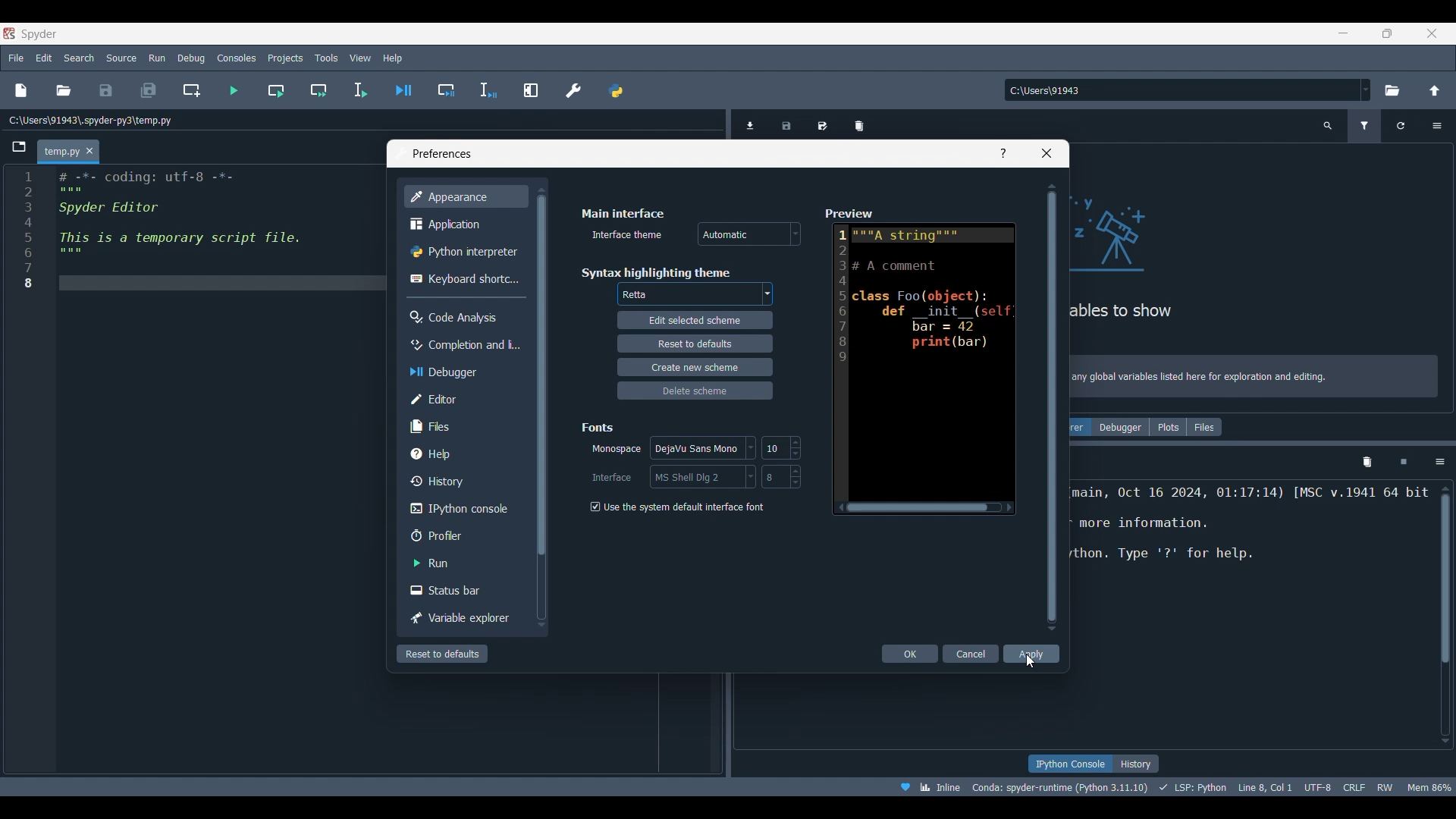  What do you see at coordinates (325, 58) in the screenshot?
I see `Tools menu` at bounding box center [325, 58].